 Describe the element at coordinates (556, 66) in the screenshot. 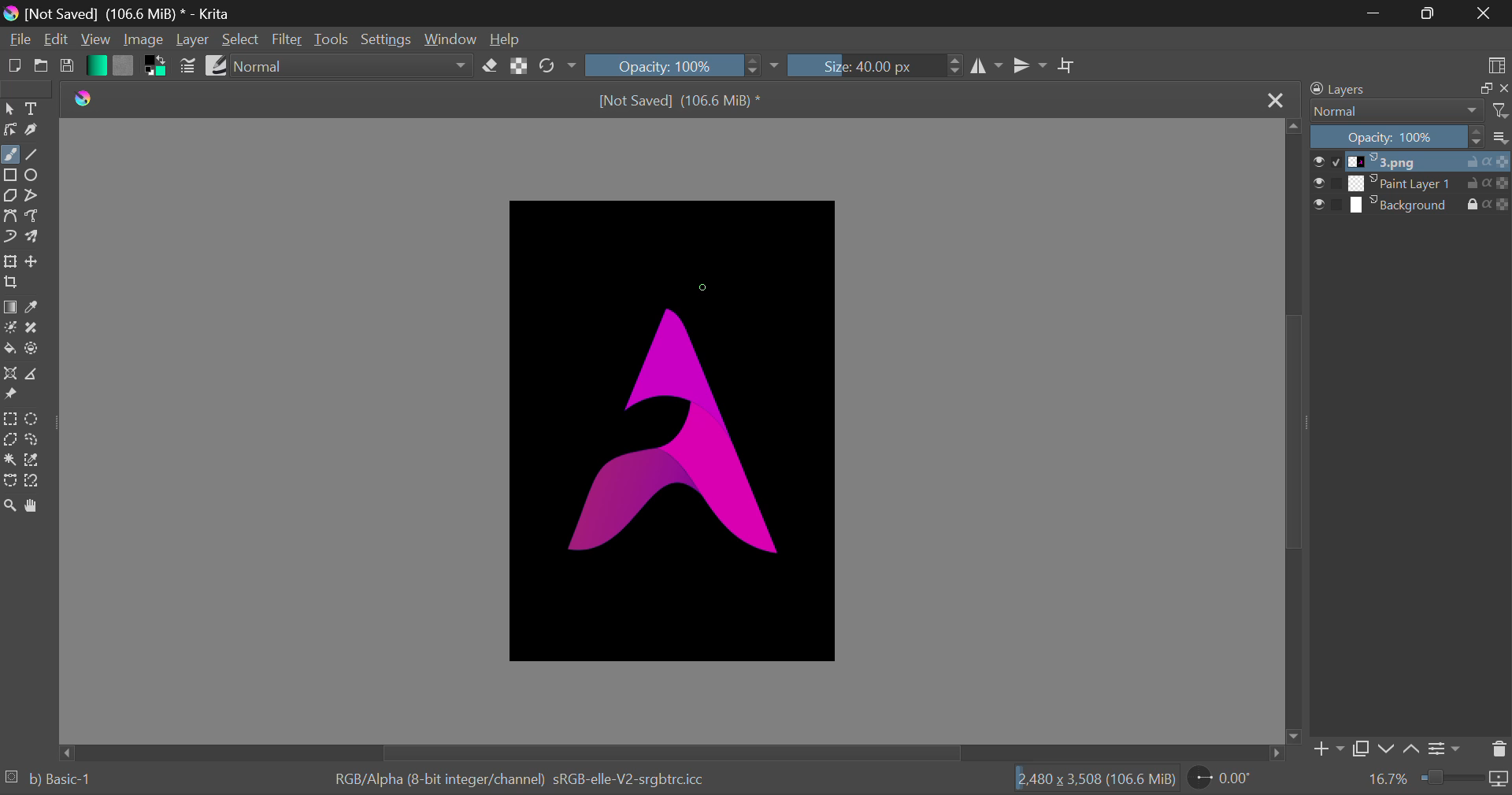

I see `Rotate Image` at that location.